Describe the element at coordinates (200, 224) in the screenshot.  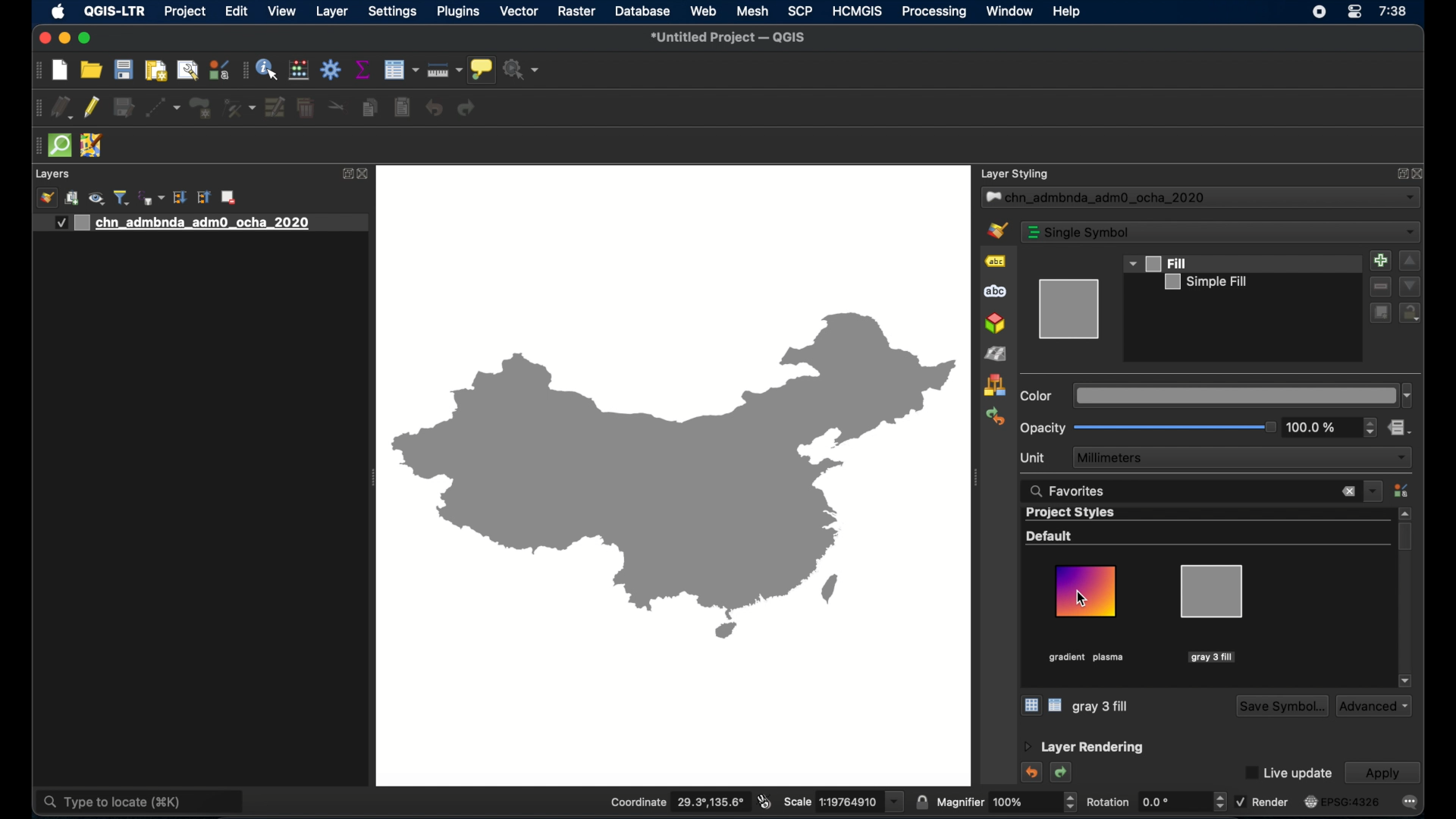
I see `layer 1` at that location.